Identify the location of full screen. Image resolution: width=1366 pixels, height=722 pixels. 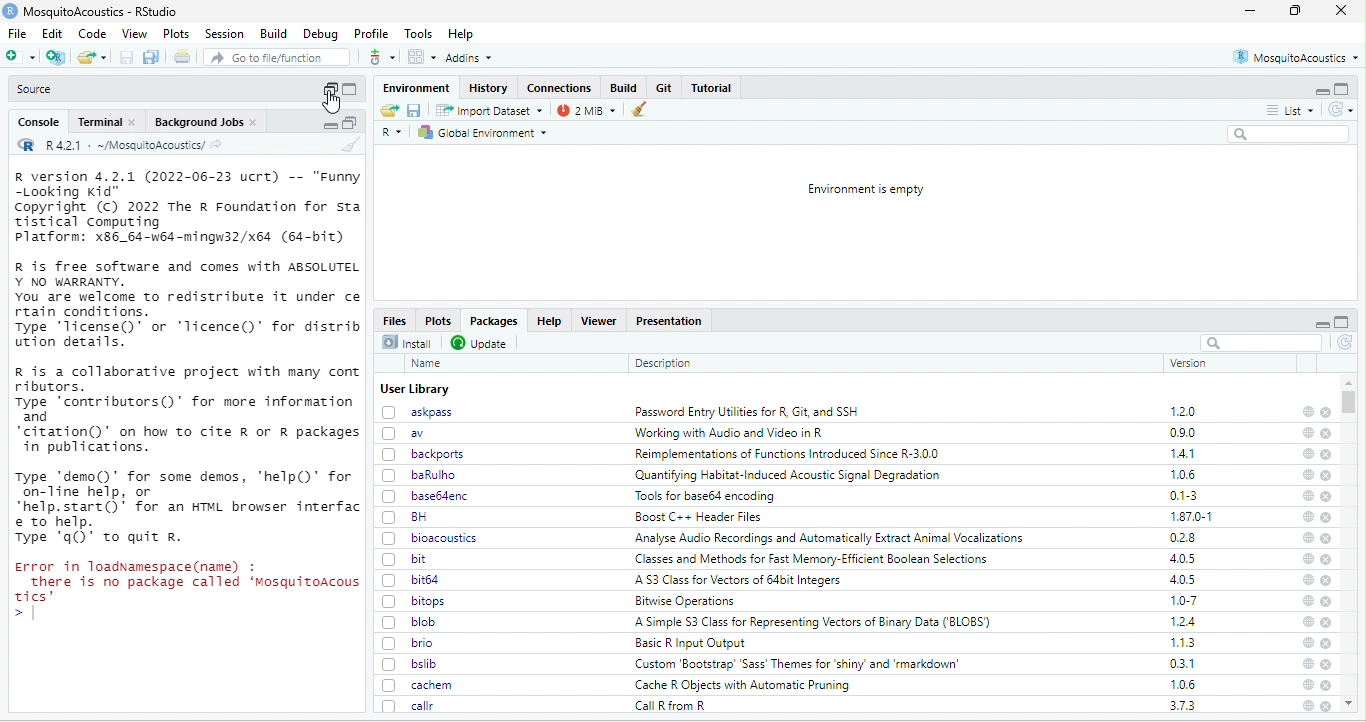
(1342, 322).